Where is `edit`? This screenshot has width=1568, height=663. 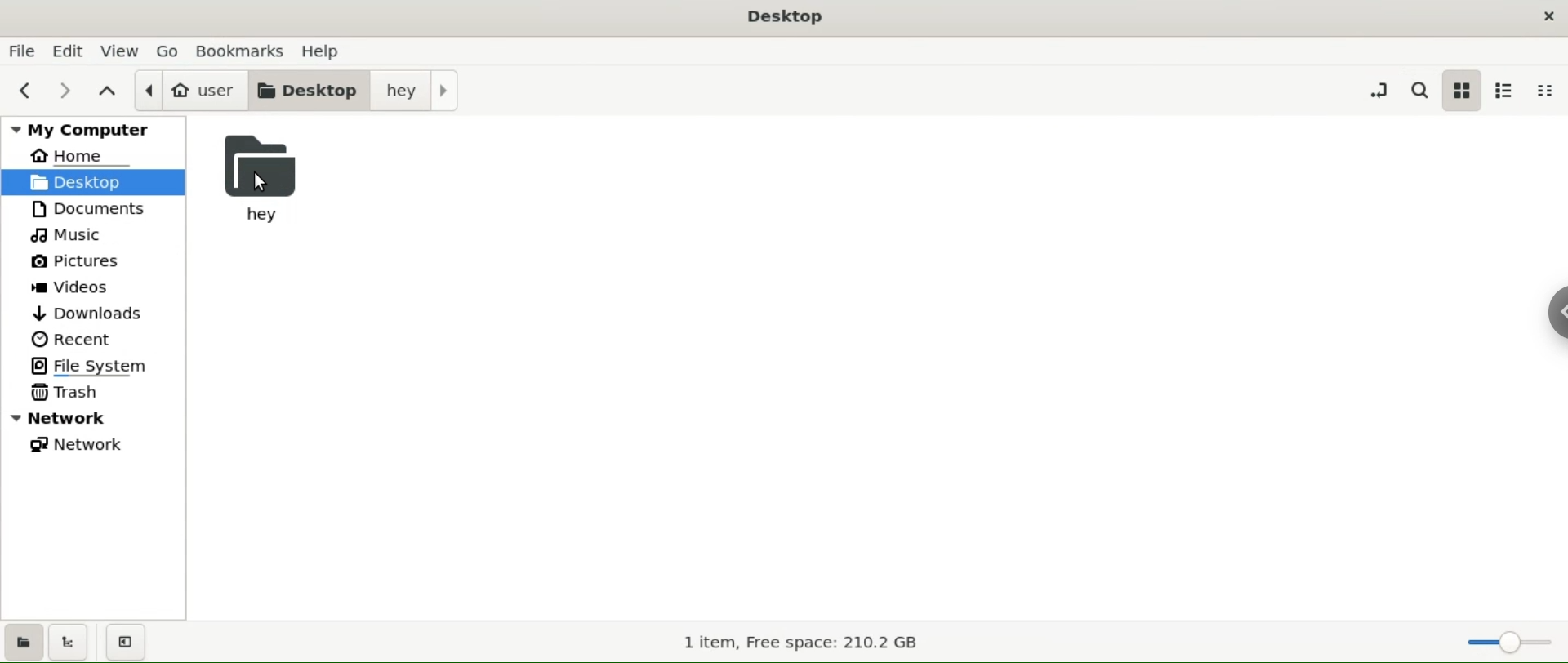 edit is located at coordinates (65, 51).